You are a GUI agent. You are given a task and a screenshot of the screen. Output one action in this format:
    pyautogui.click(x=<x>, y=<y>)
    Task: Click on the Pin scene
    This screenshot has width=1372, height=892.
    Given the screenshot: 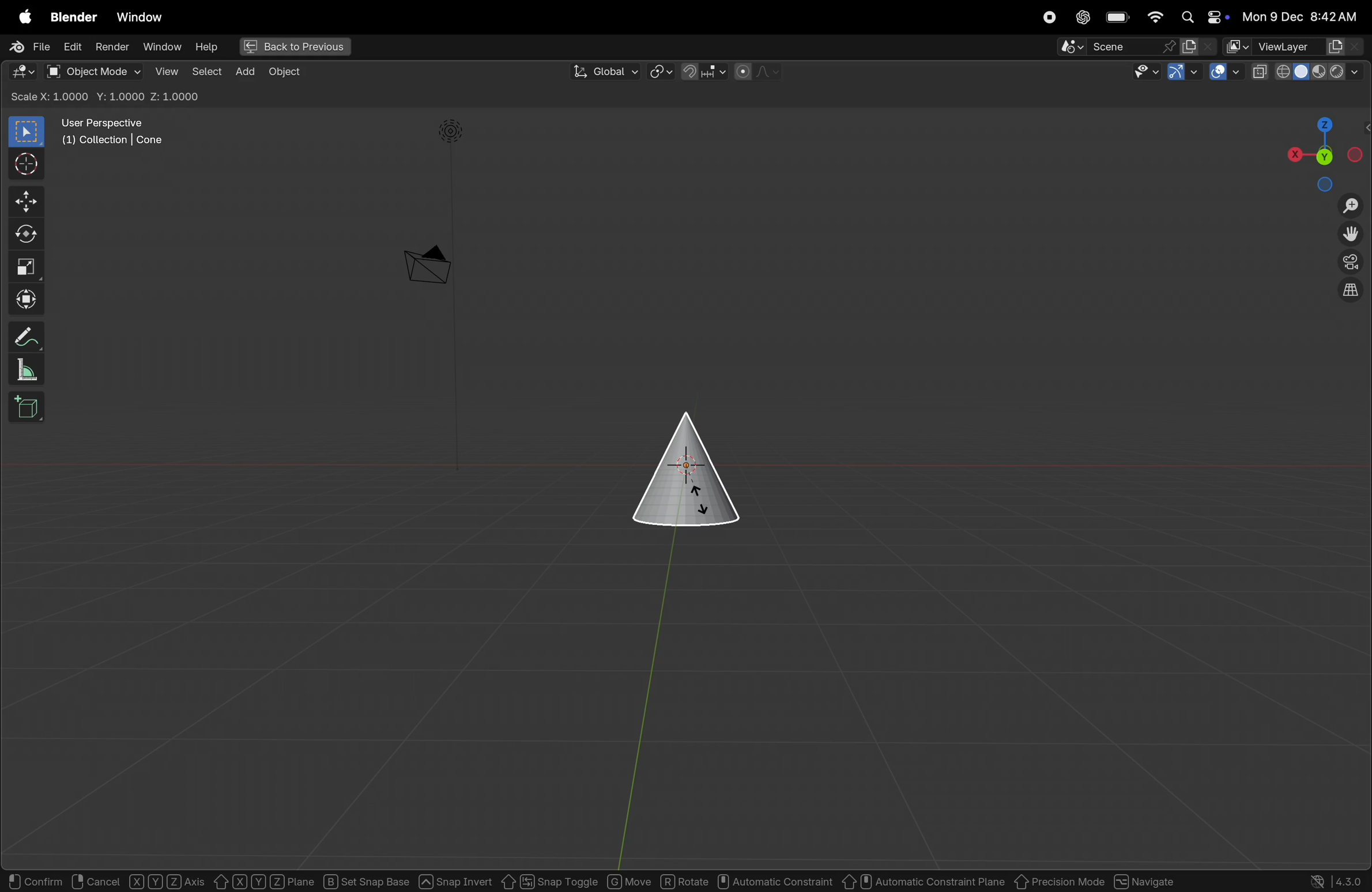 What is the action you would take?
    pyautogui.click(x=1115, y=47)
    